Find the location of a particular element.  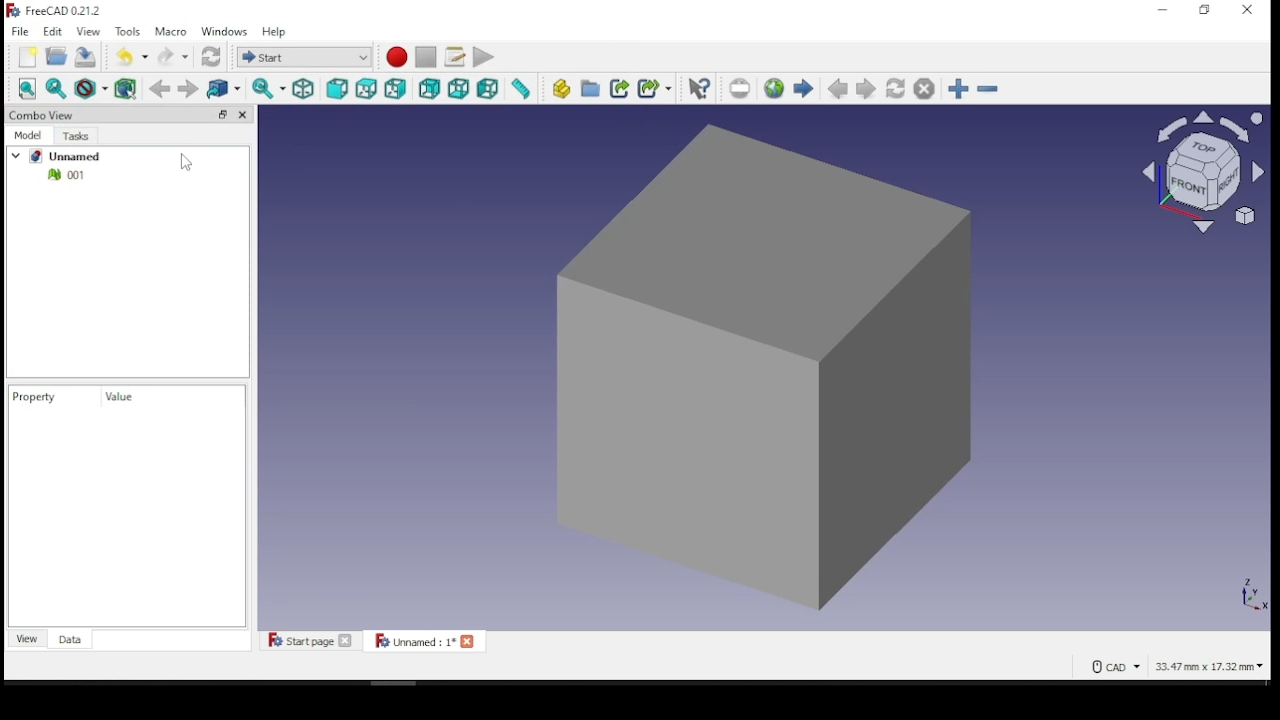

undo is located at coordinates (131, 57).